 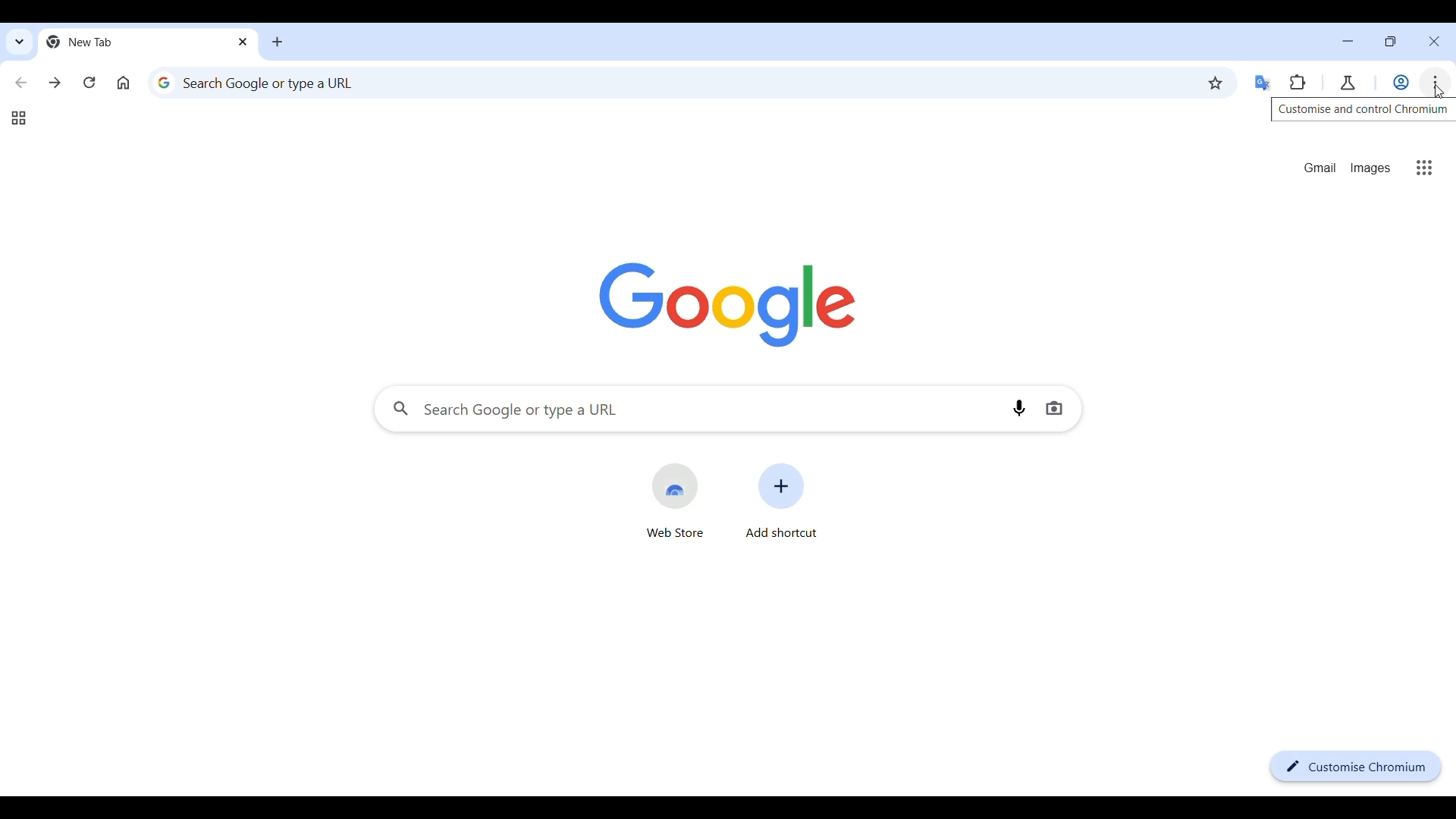 What do you see at coordinates (1321, 168) in the screenshot?
I see `Gmail` at bounding box center [1321, 168].